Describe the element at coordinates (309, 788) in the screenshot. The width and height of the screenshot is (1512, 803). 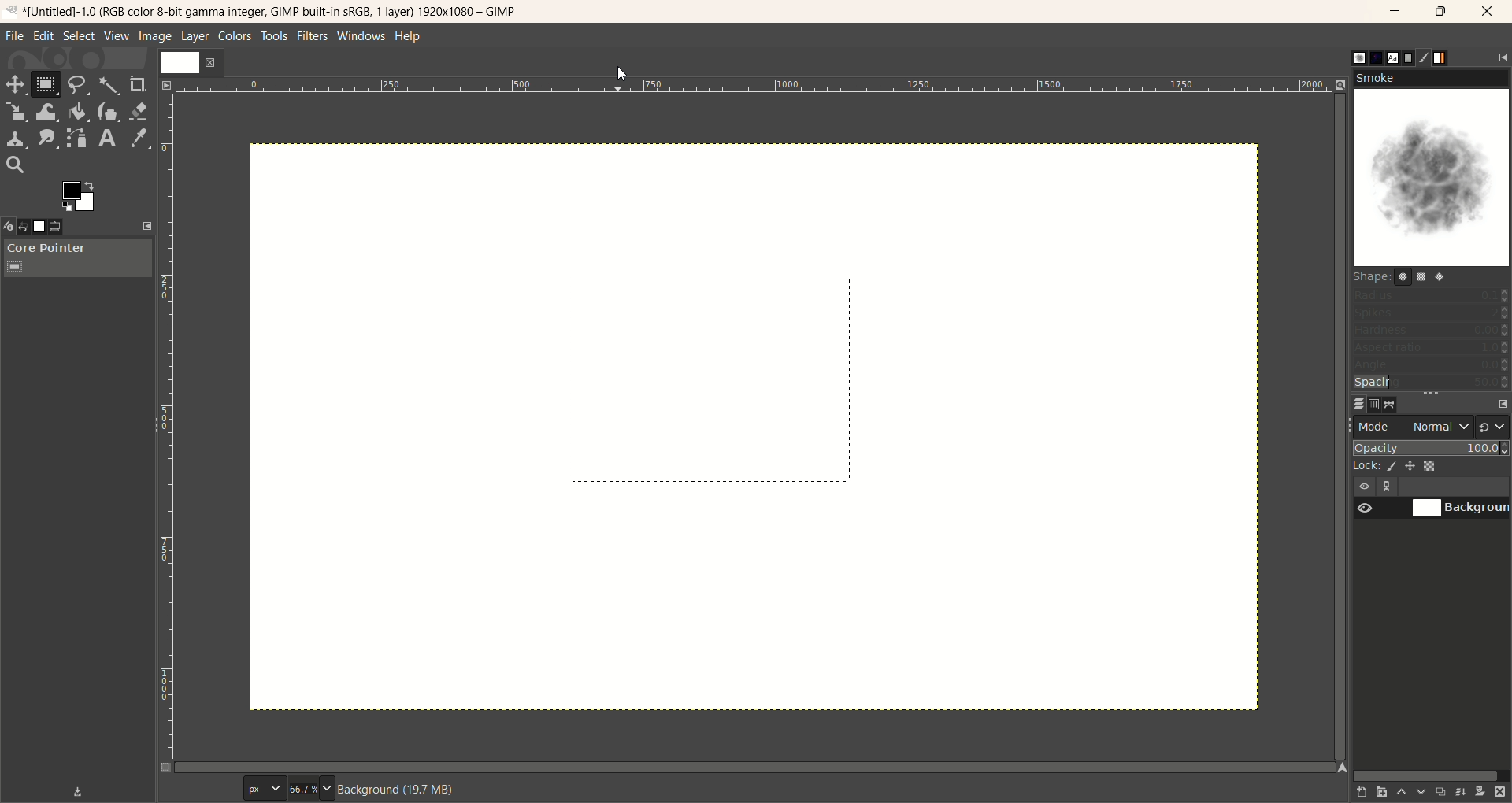
I see `zoom factor` at that location.